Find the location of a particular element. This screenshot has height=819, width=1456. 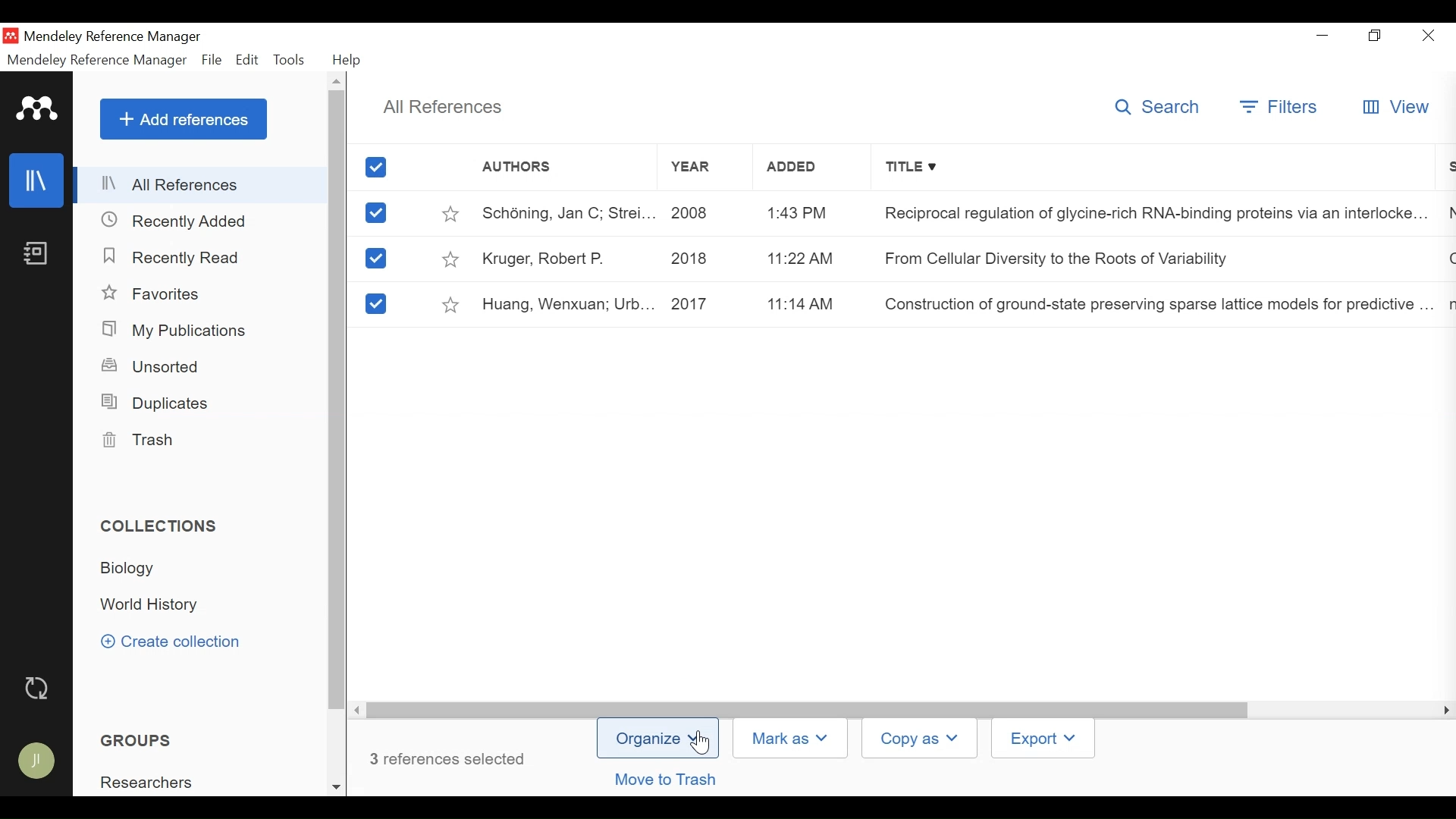

Avatar is located at coordinates (37, 763).